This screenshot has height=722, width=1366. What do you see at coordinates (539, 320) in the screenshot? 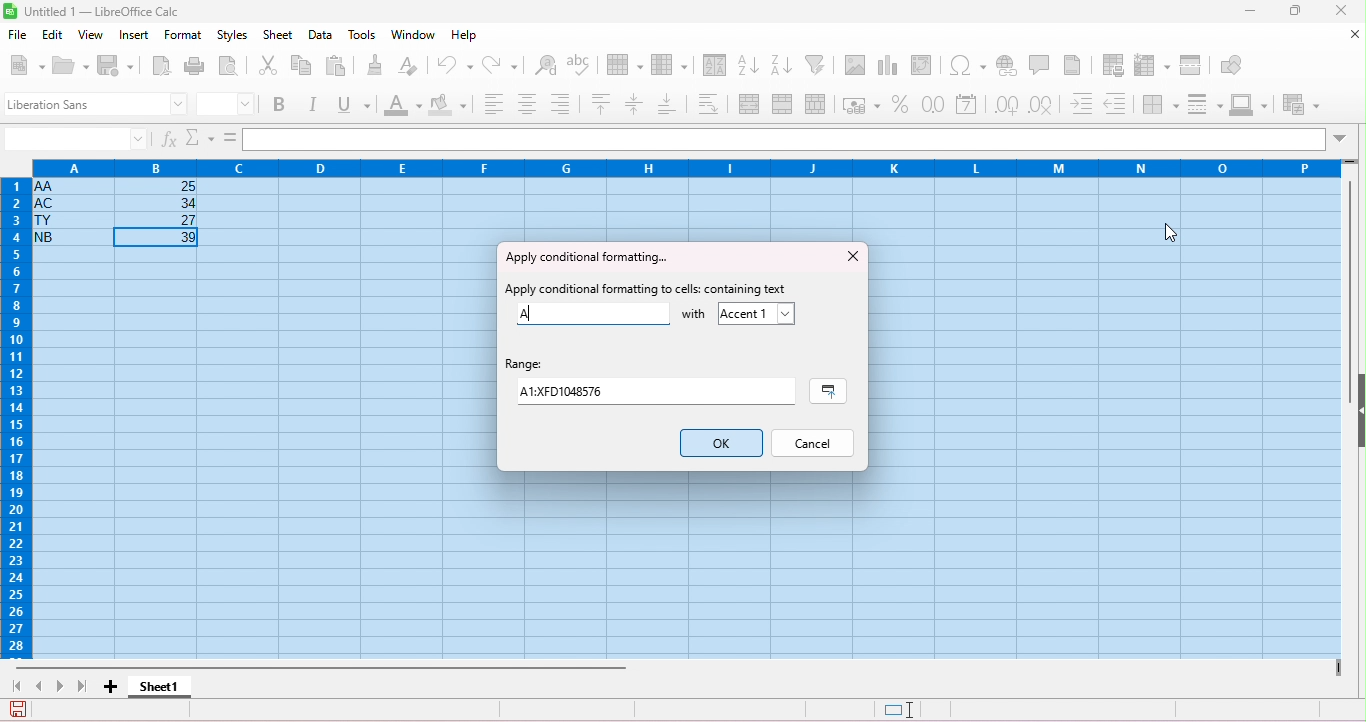
I see `typing cursor` at bounding box center [539, 320].